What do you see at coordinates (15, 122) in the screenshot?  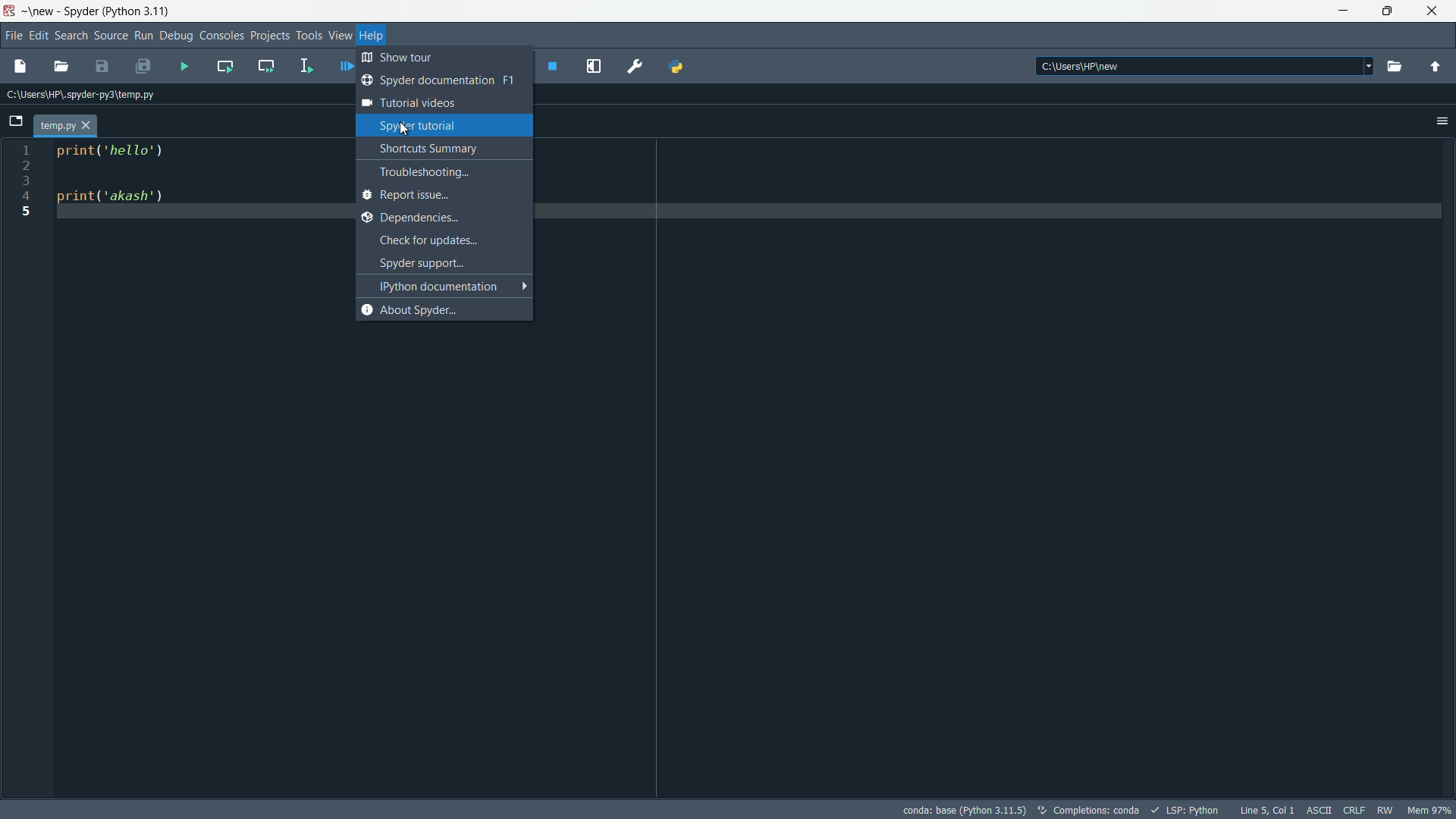 I see `browse tabs` at bounding box center [15, 122].